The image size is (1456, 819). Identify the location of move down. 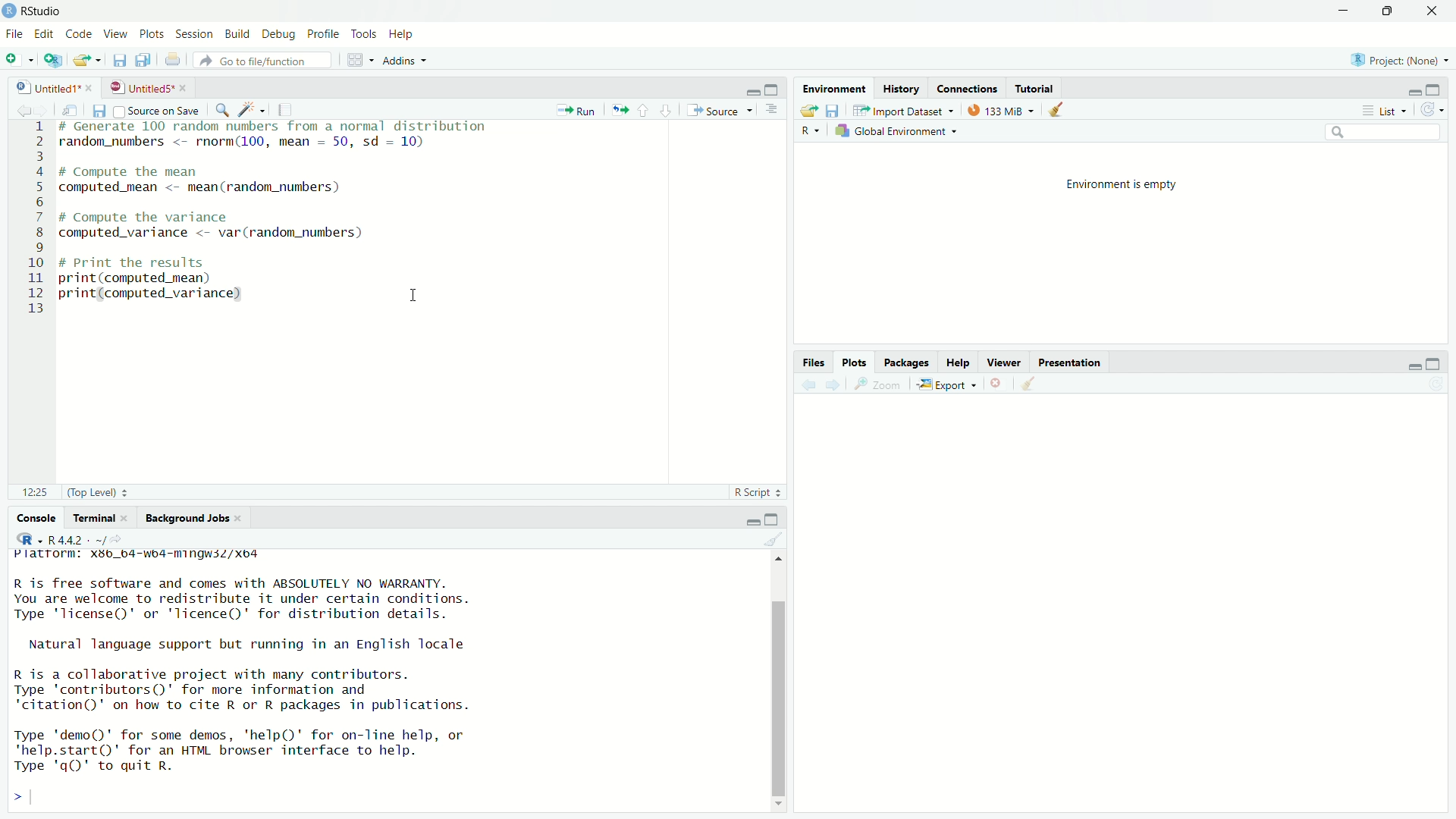
(778, 800).